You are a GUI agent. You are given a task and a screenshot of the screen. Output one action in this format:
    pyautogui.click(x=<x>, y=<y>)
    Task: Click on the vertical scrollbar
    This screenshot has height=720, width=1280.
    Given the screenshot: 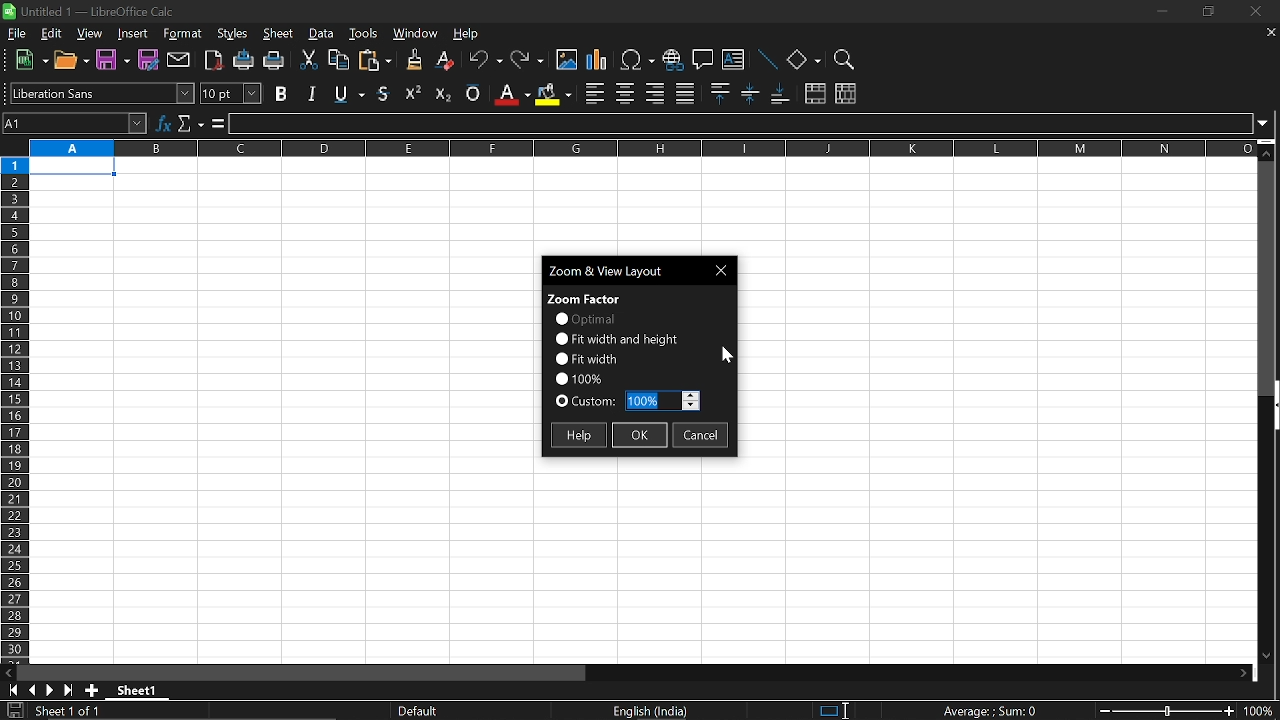 What is the action you would take?
    pyautogui.click(x=1272, y=407)
    